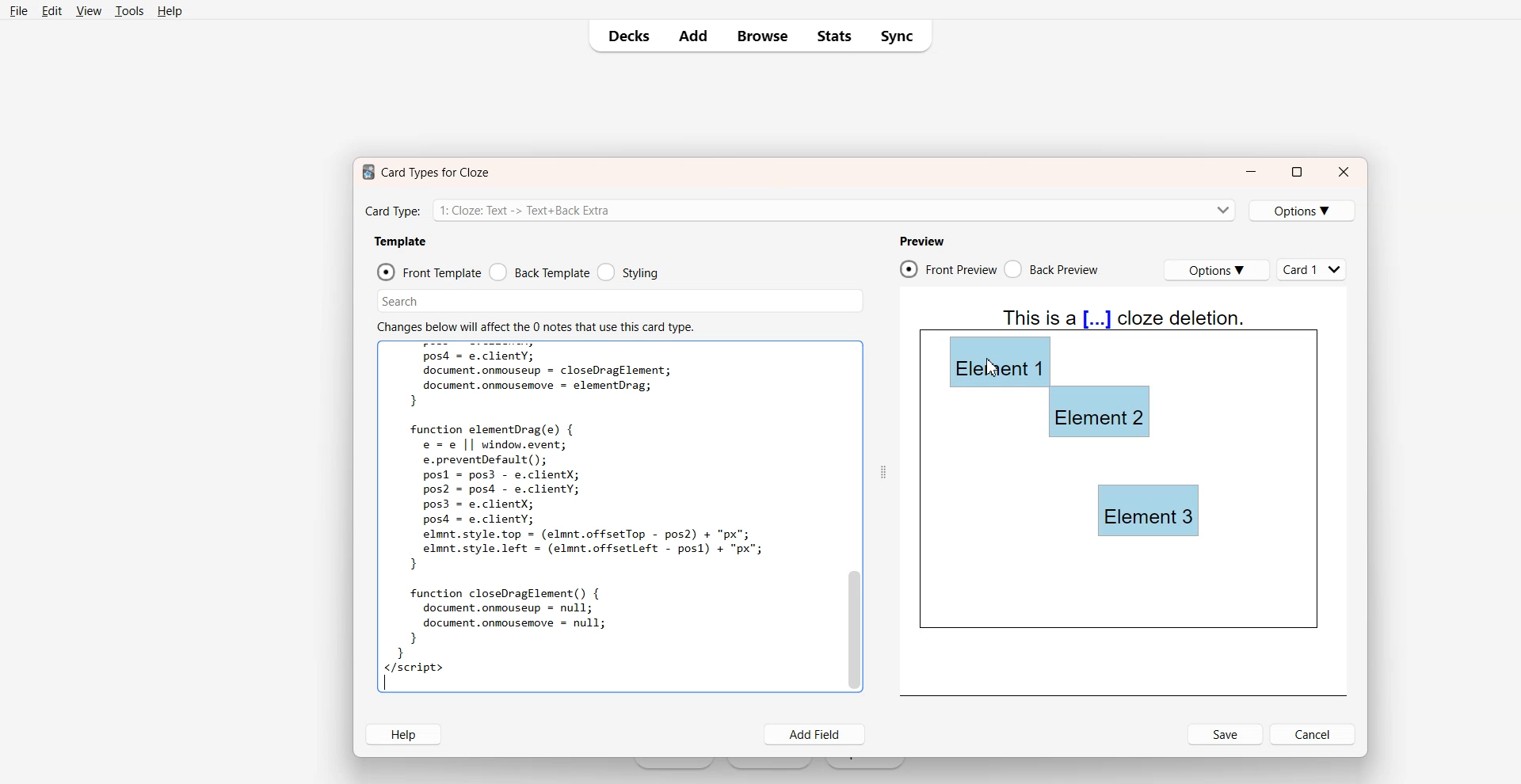  What do you see at coordinates (882, 471) in the screenshot?
I see `Drag Handle` at bounding box center [882, 471].